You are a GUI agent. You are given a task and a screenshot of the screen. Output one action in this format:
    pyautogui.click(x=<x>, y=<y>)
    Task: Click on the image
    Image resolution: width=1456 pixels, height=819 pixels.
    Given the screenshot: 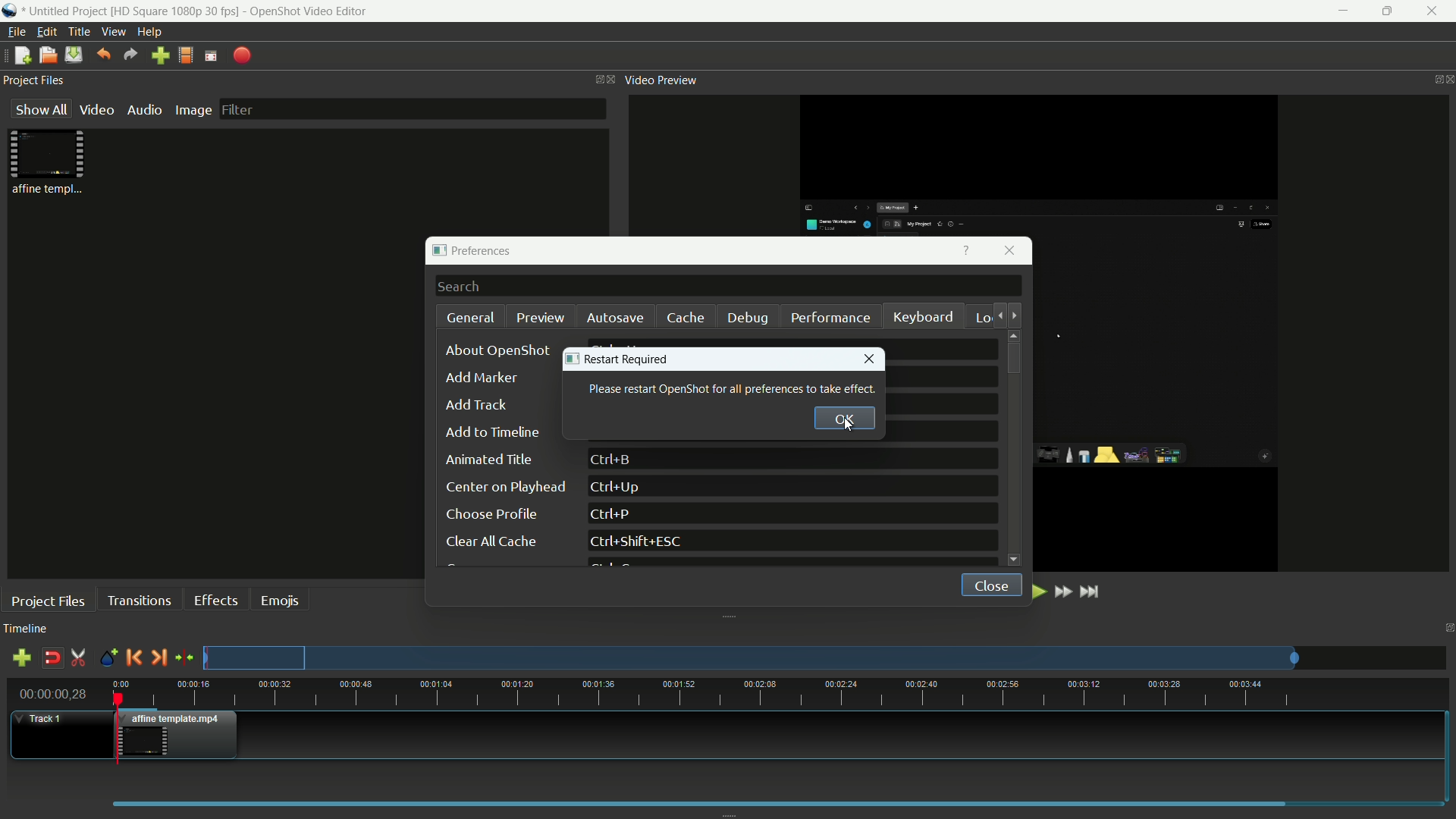 What is the action you would take?
    pyautogui.click(x=193, y=110)
    